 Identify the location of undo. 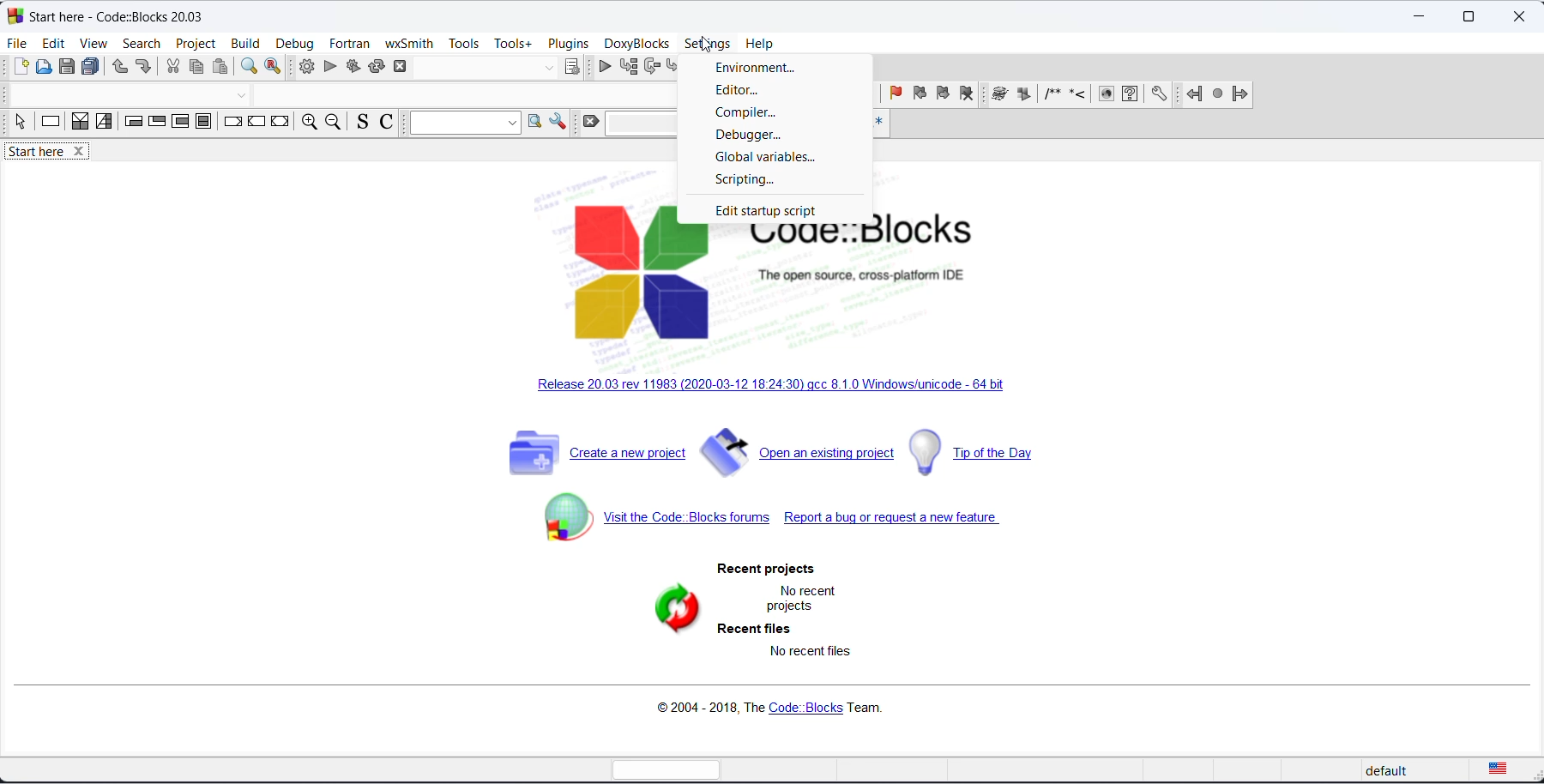
(120, 68).